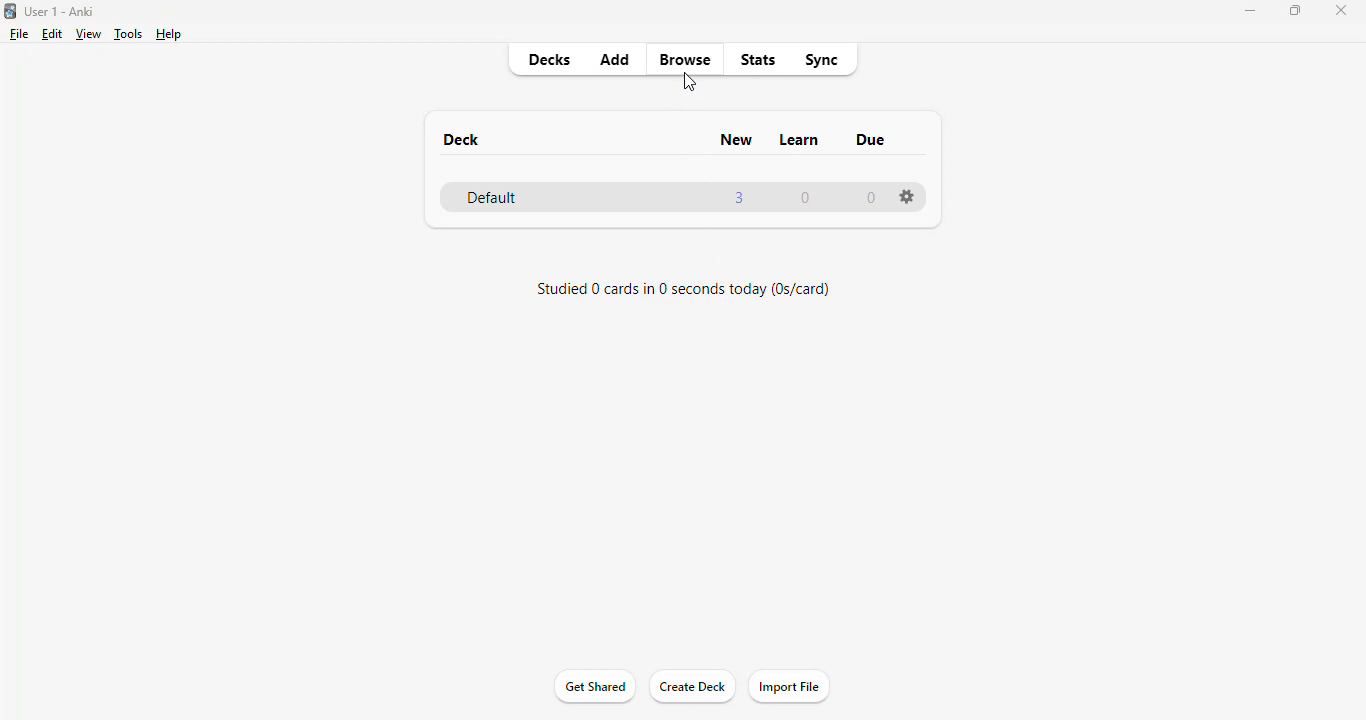 The width and height of the screenshot is (1366, 720). What do you see at coordinates (10, 11) in the screenshot?
I see `logo` at bounding box center [10, 11].